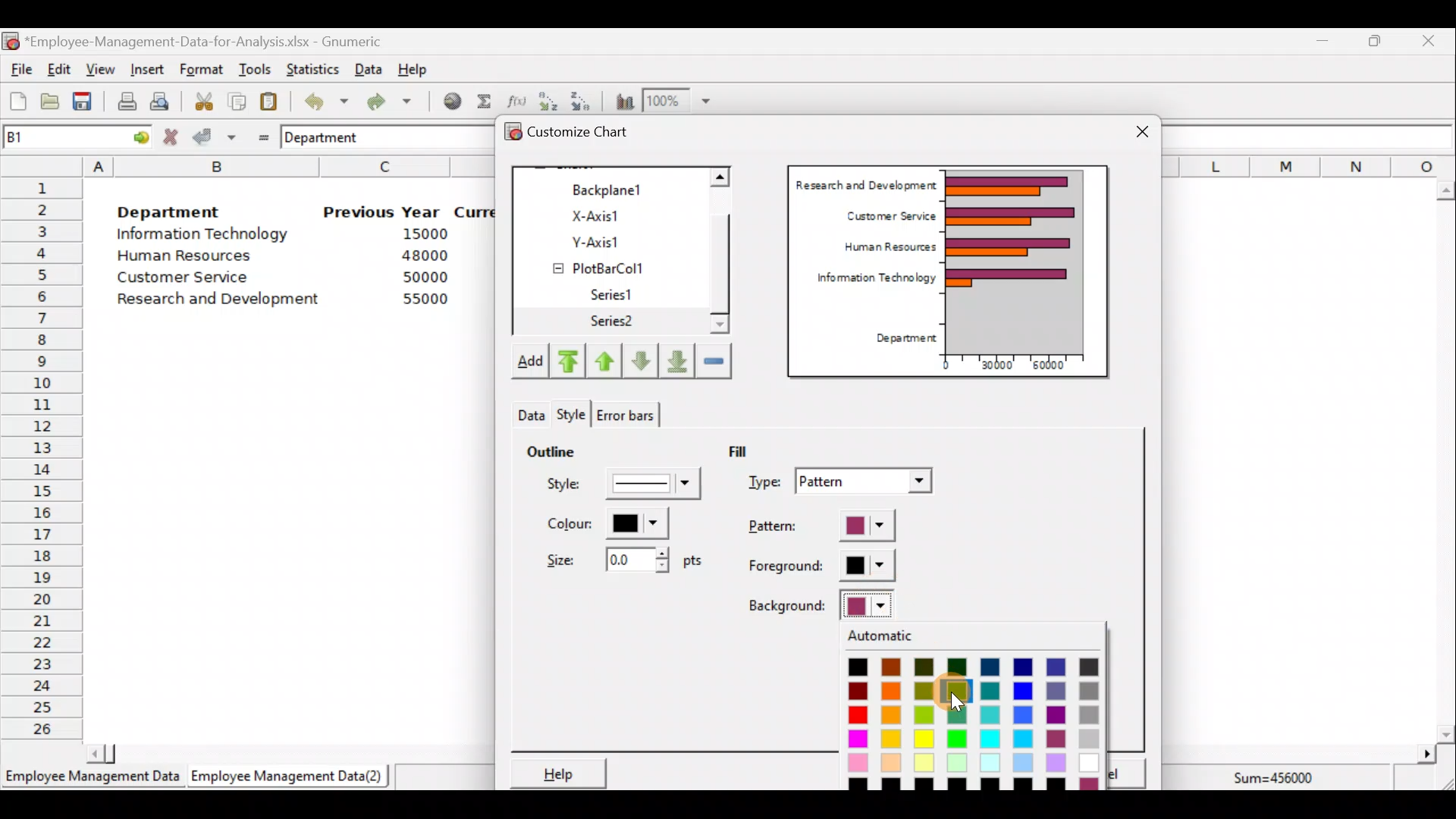  Describe the element at coordinates (419, 233) in the screenshot. I see `15000` at that location.